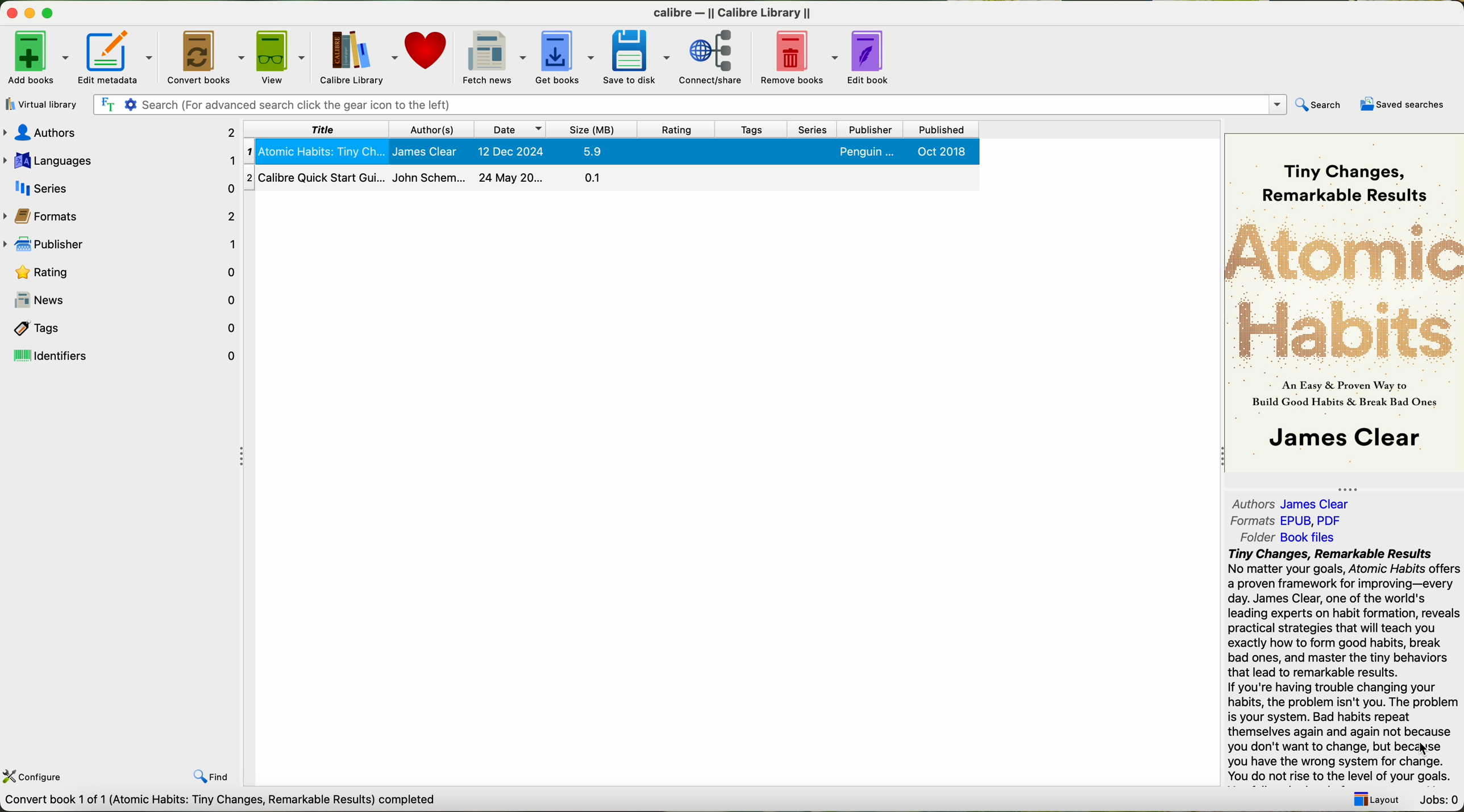 Image resolution: width=1464 pixels, height=812 pixels. Describe the element at coordinates (38, 57) in the screenshot. I see `add books` at that location.